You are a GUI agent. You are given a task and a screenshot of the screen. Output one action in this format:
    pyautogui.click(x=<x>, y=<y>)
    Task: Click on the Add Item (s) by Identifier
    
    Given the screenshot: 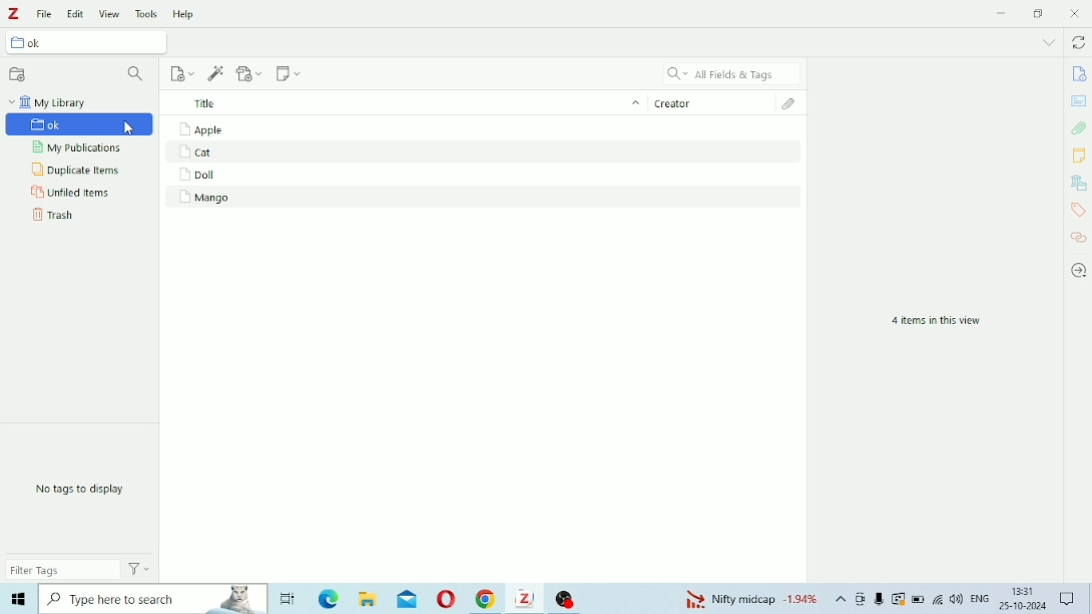 What is the action you would take?
    pyautogui.click(x=217, y=74)
    